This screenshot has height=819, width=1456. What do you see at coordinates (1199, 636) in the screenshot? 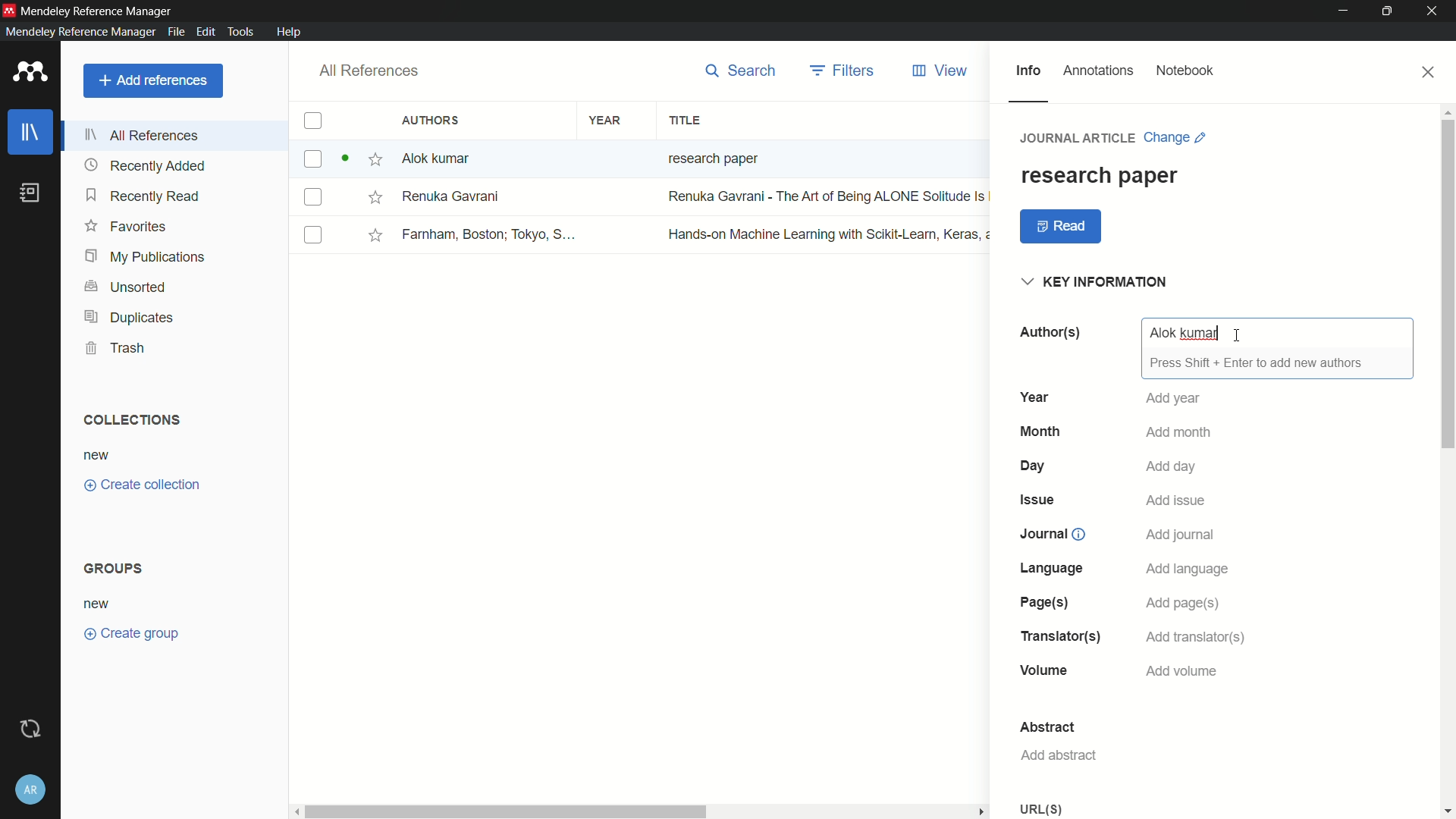
I see `add translator` at bounding box center [1199, 636].